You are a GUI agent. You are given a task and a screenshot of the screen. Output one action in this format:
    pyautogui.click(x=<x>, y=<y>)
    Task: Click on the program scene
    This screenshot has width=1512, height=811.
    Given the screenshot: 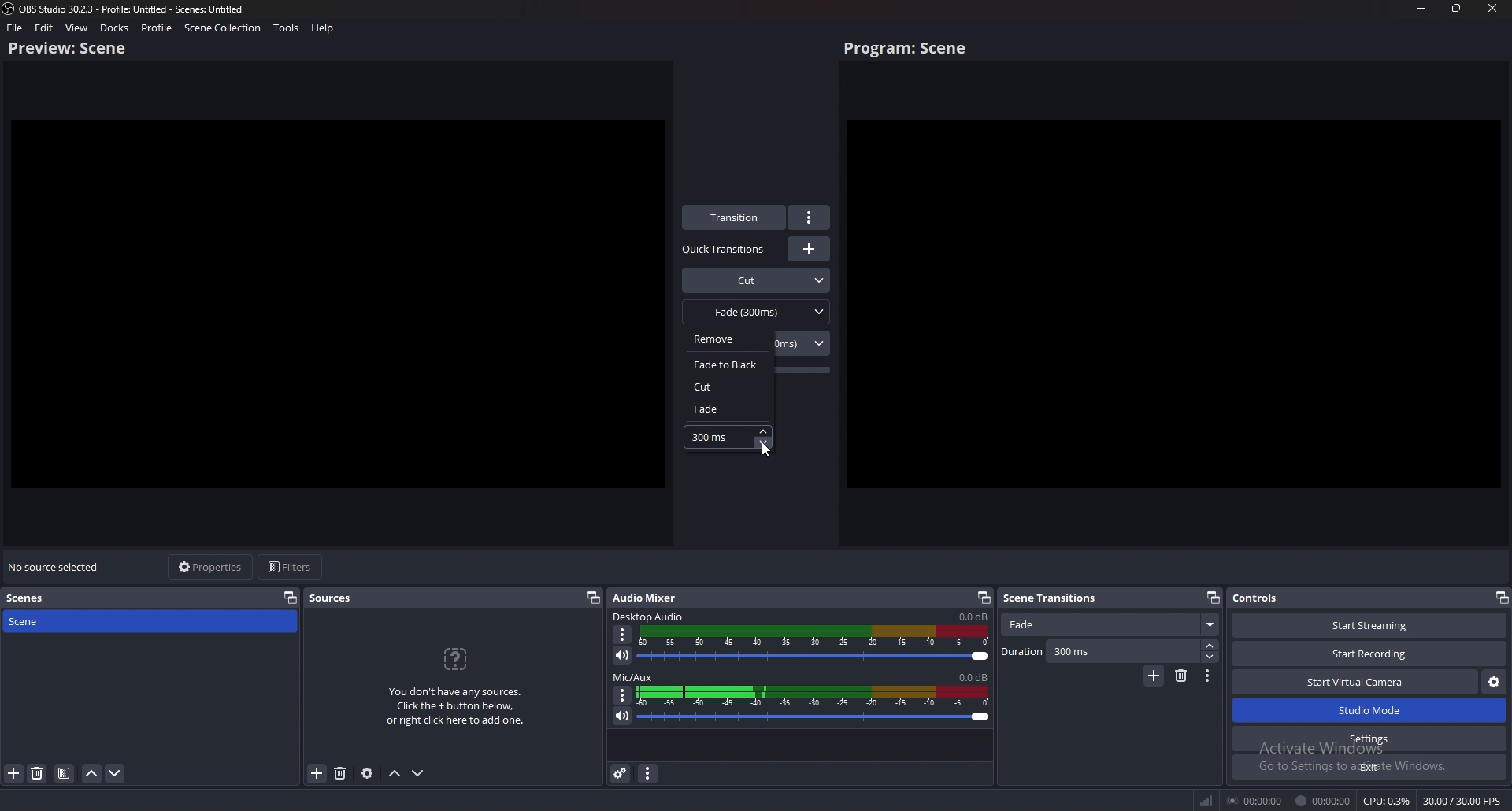 What is the action you would take?
    pyautogui.click(x=909, y=49)
    